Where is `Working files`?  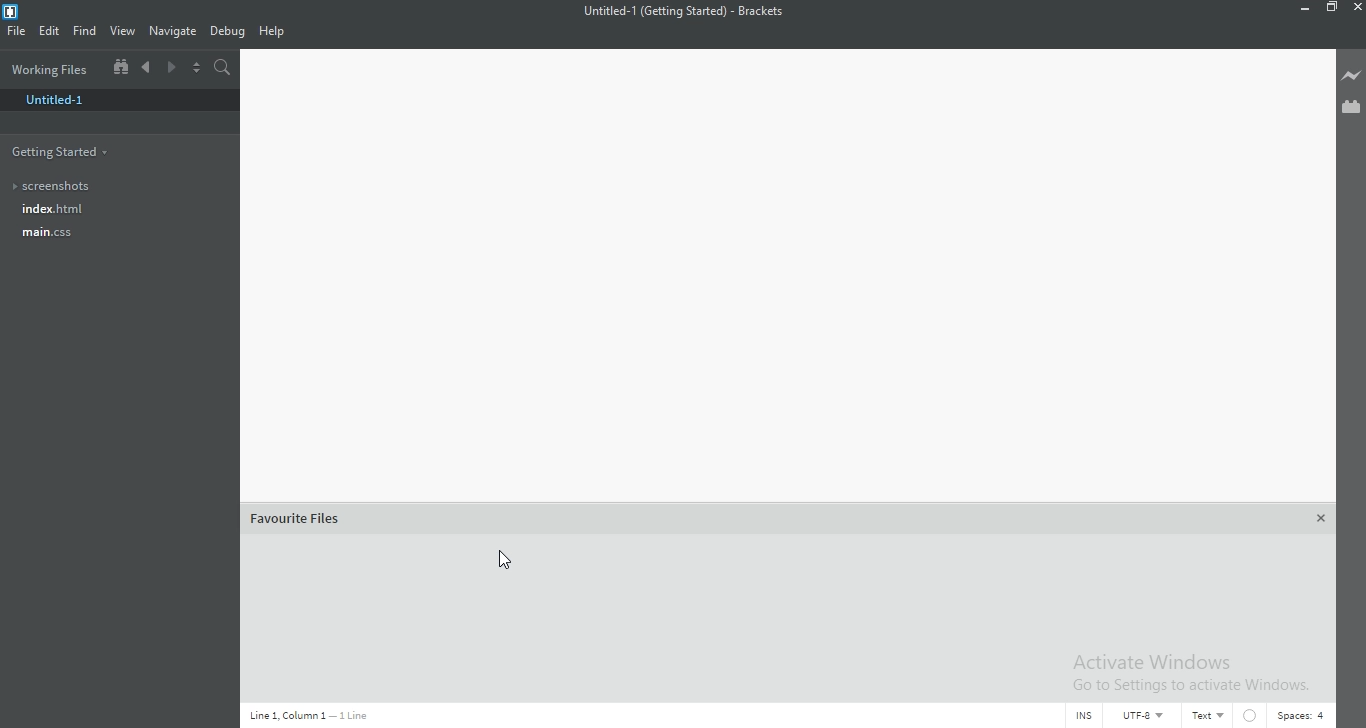 Working files is located at coordinates (51, 69).